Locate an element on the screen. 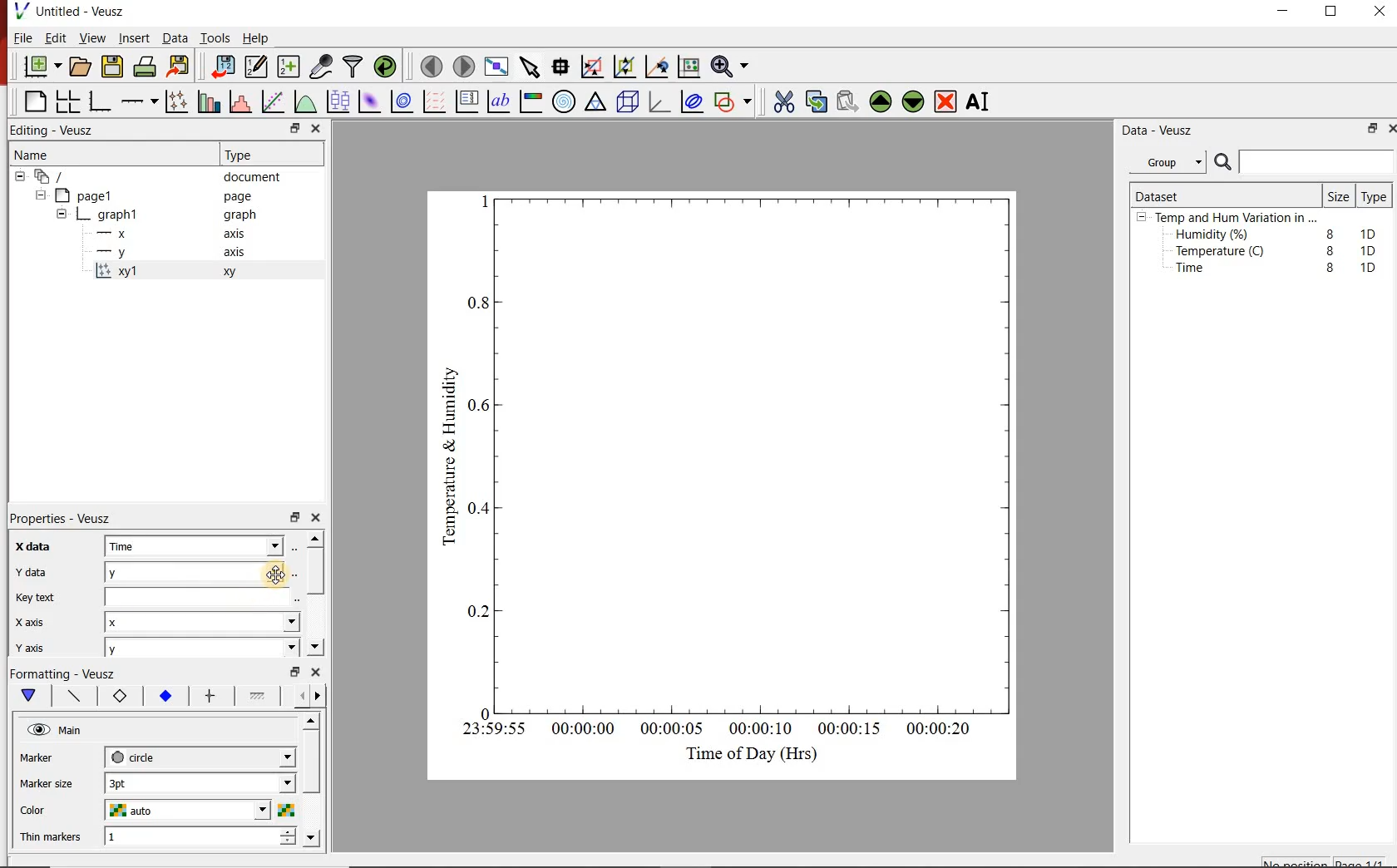 The image size is (1397, 868). 1D is located at coordinates (1373, 250).